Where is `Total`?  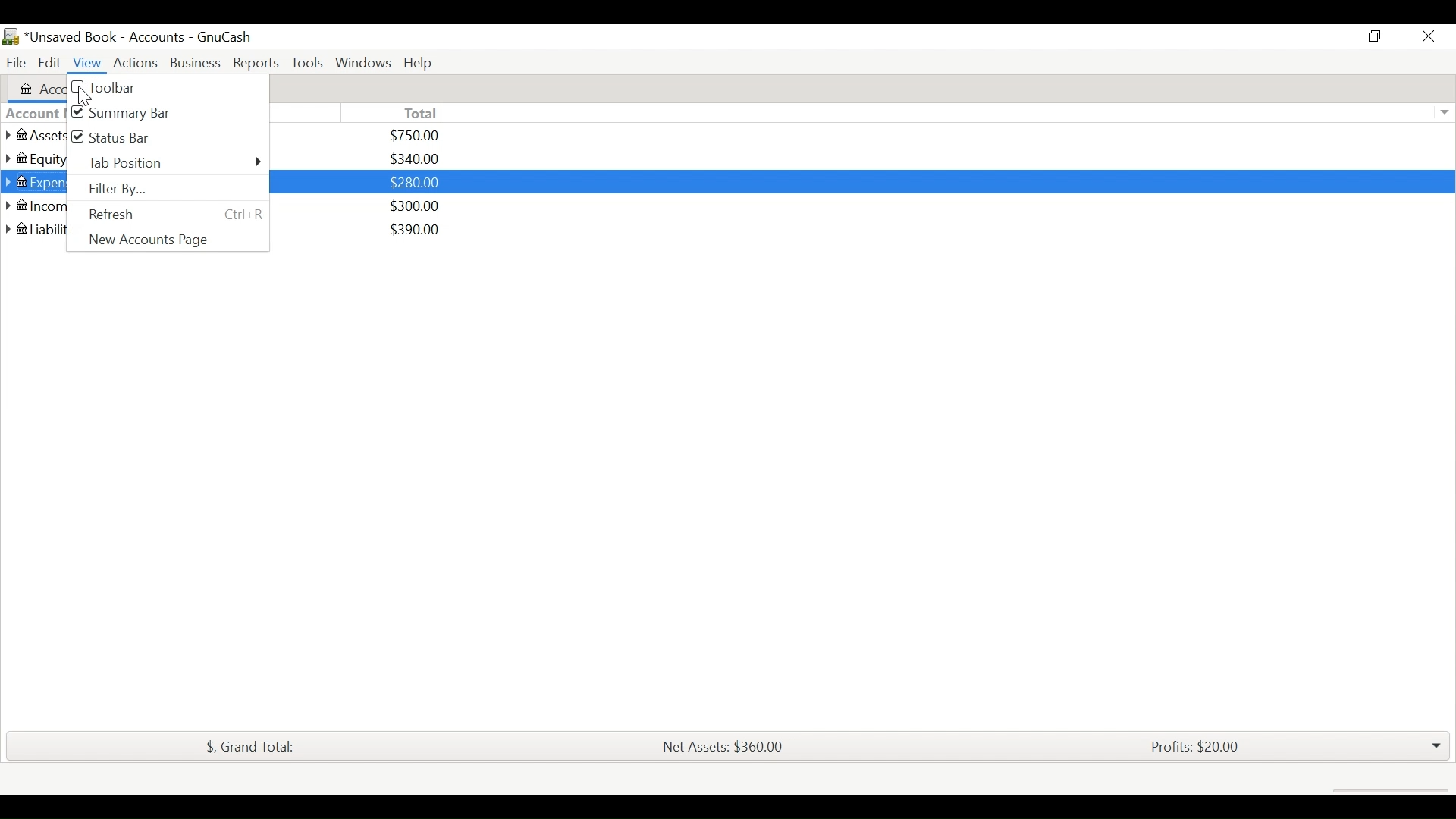
Total is located at coordinates (422, 113).